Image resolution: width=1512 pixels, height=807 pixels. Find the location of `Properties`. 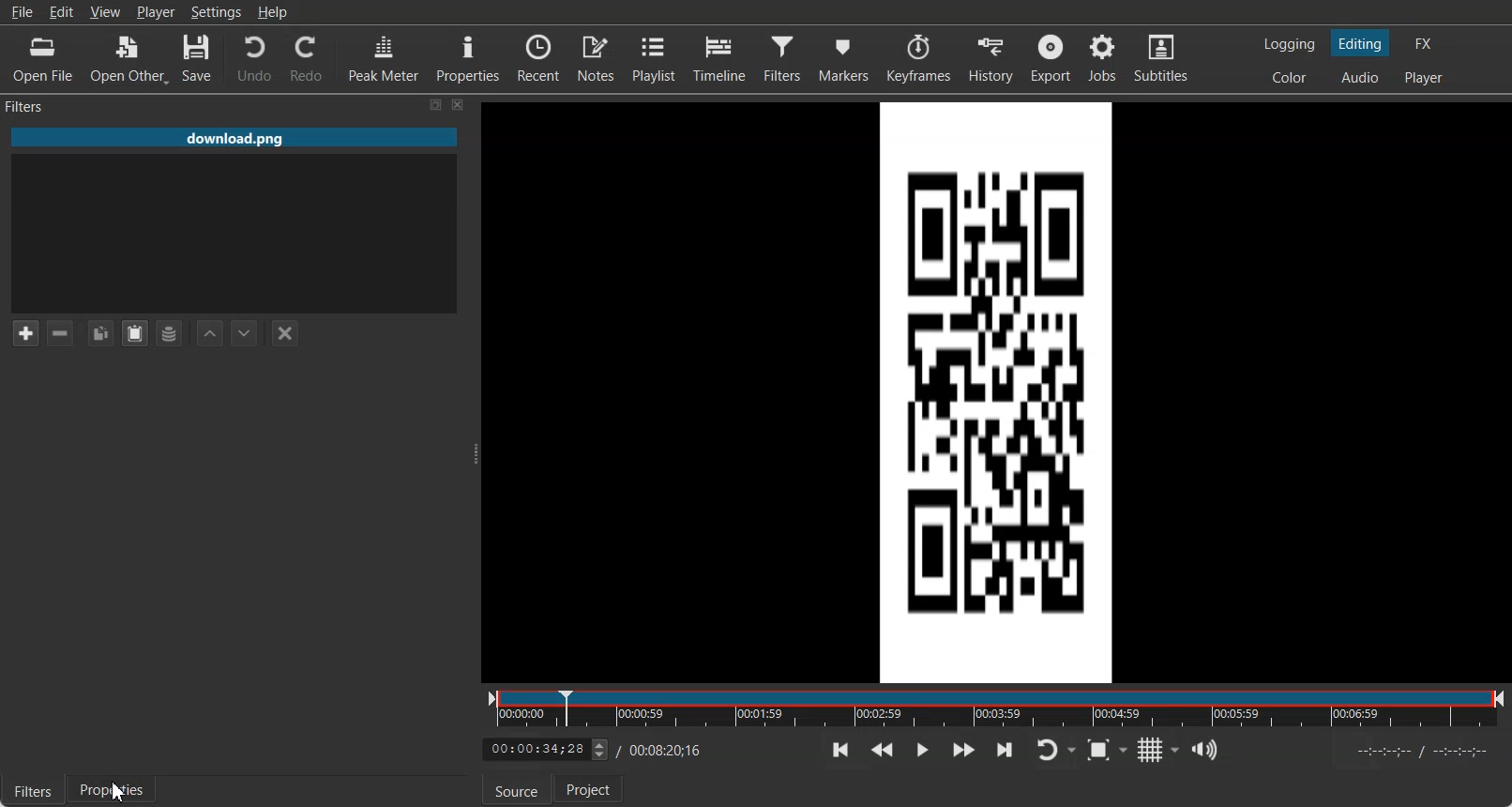

Properties is located at coordinates (113, 790).